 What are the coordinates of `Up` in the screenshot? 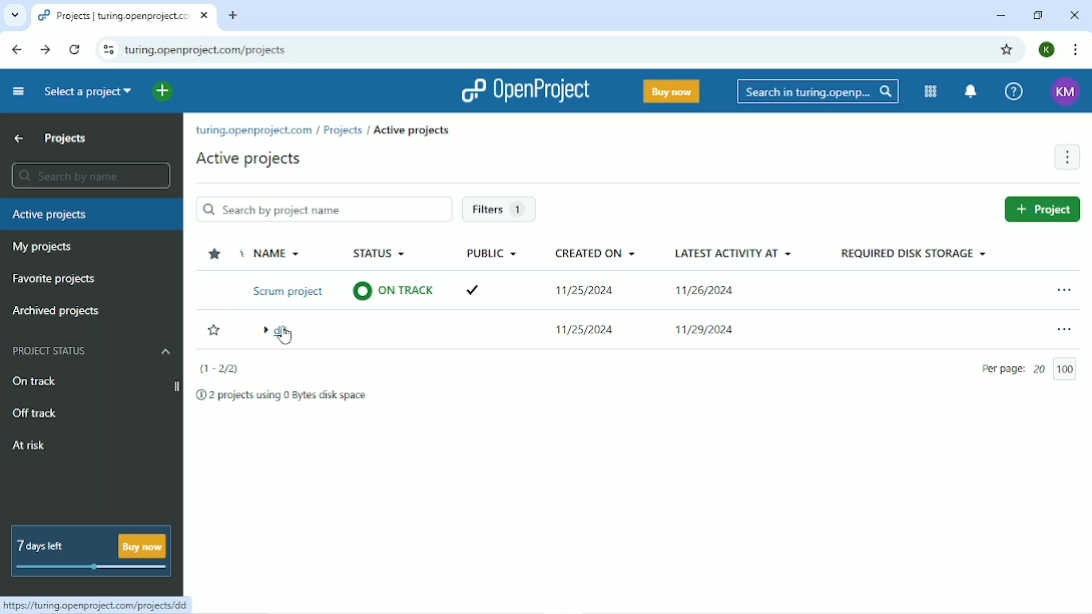 It's located at (18, 140).